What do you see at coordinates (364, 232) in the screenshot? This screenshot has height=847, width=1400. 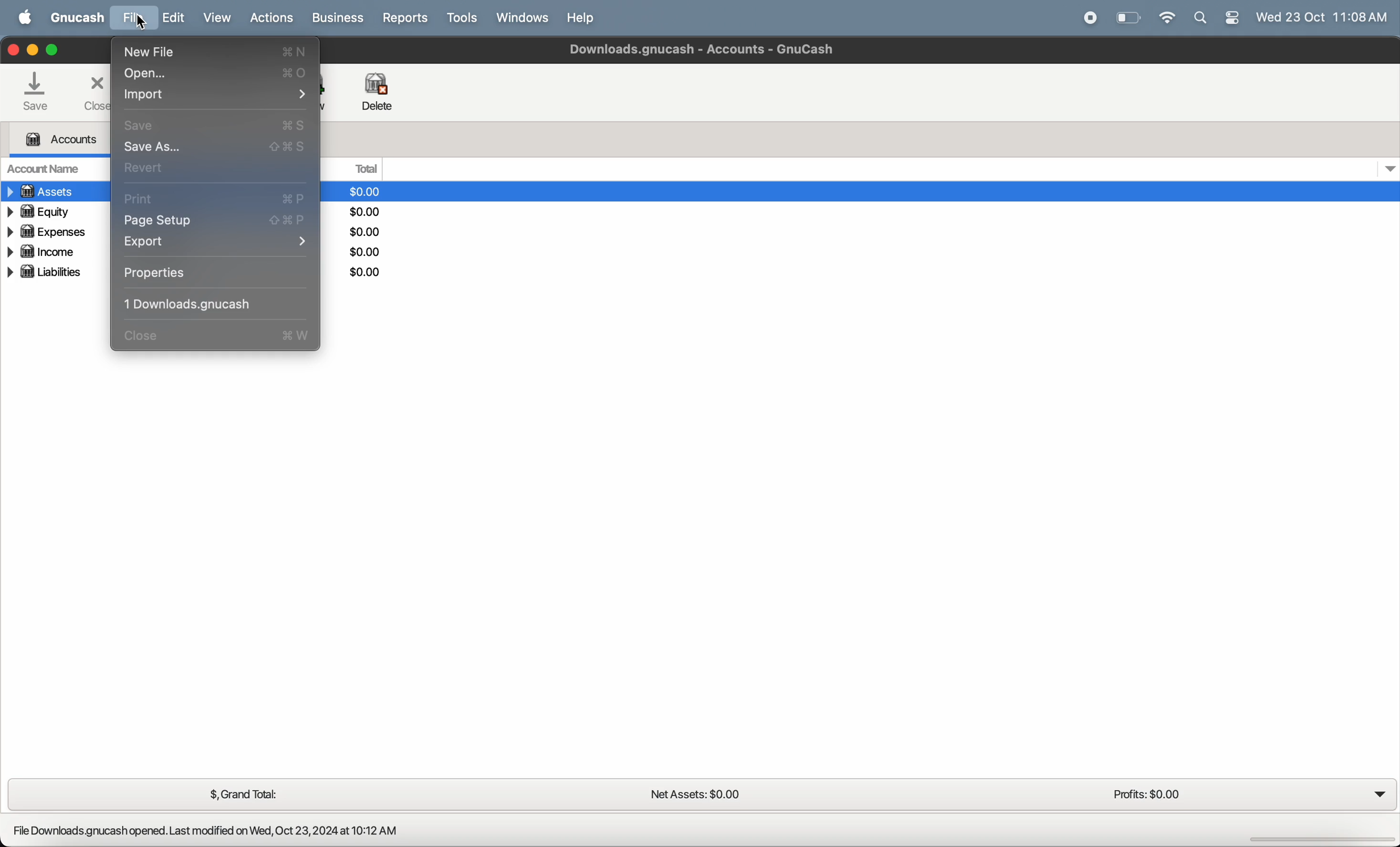 I see `dollars` at bounding box center [364, 232].